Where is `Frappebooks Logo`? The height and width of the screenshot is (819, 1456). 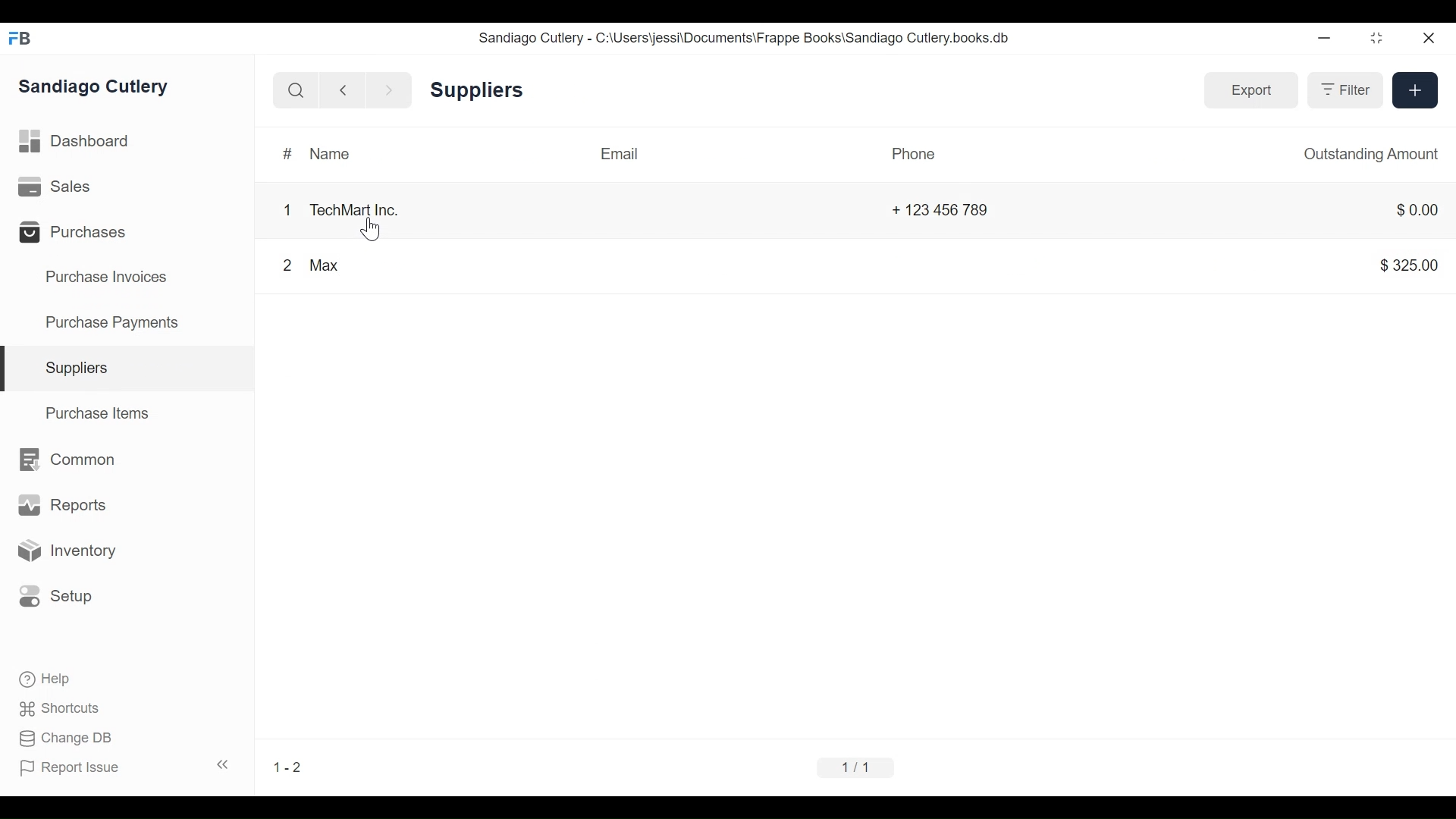
Frappebooks Logo is located at coordinates (24, 35).